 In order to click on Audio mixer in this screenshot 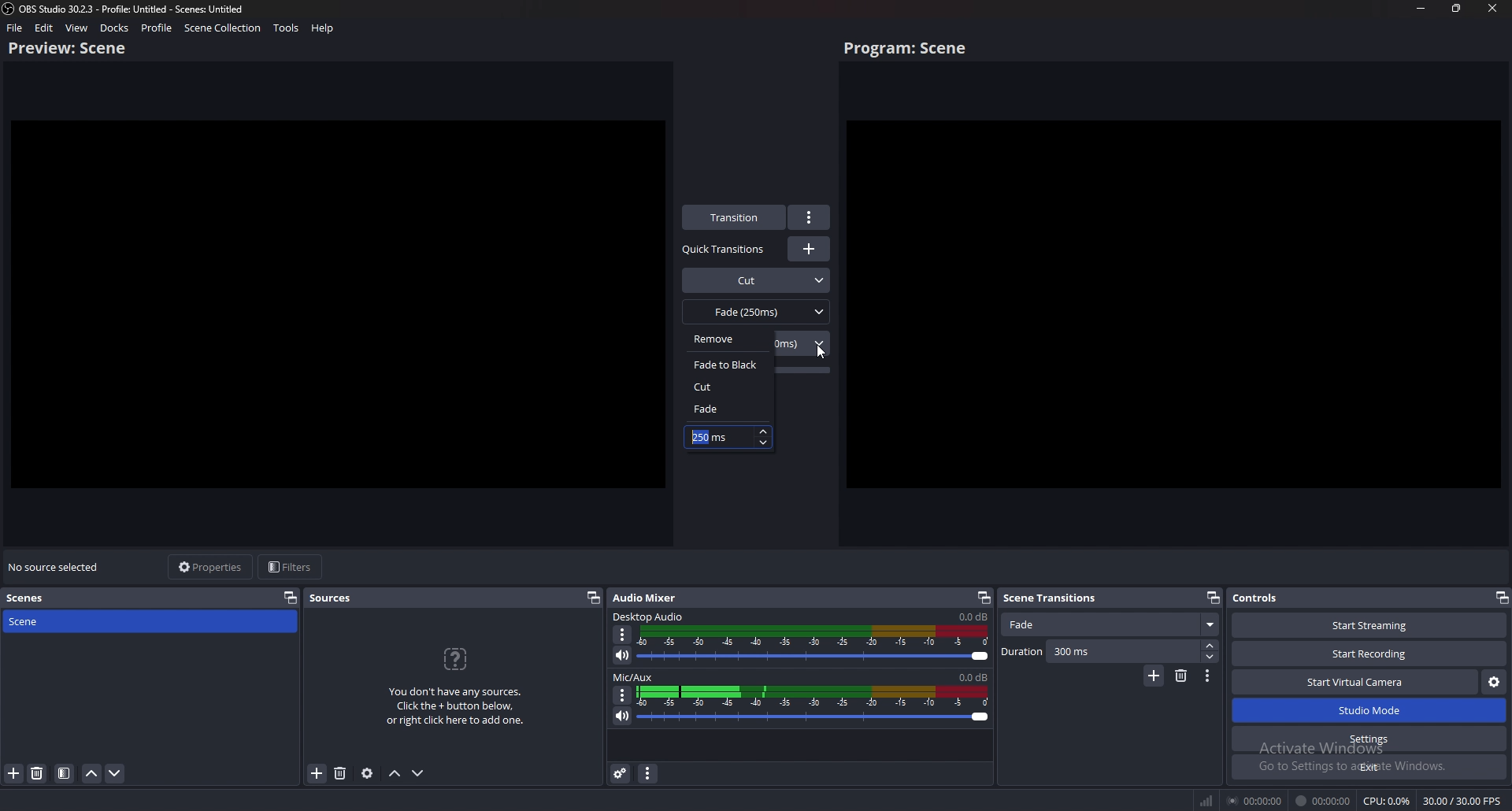, I will do `click(649, 596)`.